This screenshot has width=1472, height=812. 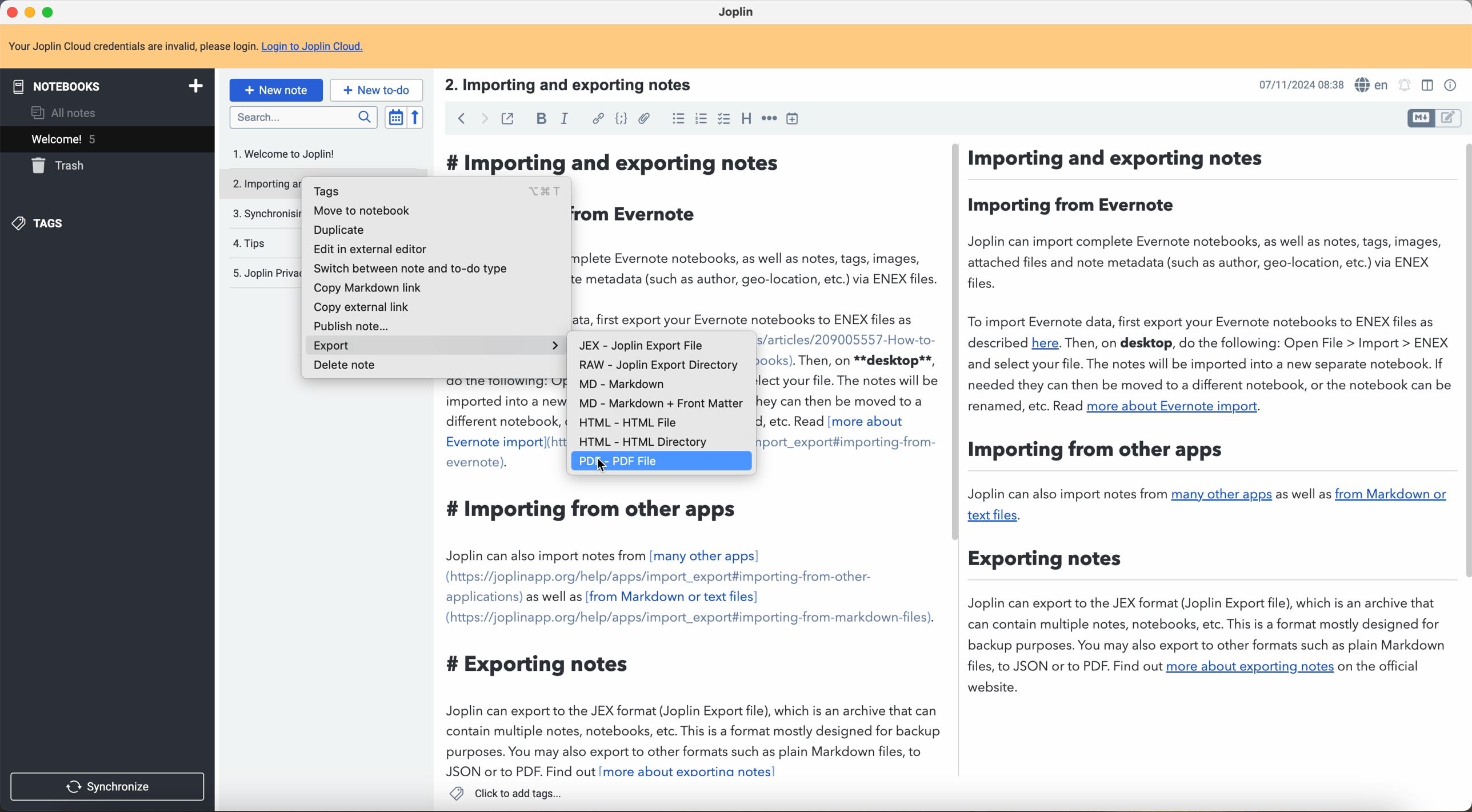 What do you see at coordinates (370, 250) in the screenshot?
I see `edit in external editor` at bounding box center [370, 250].